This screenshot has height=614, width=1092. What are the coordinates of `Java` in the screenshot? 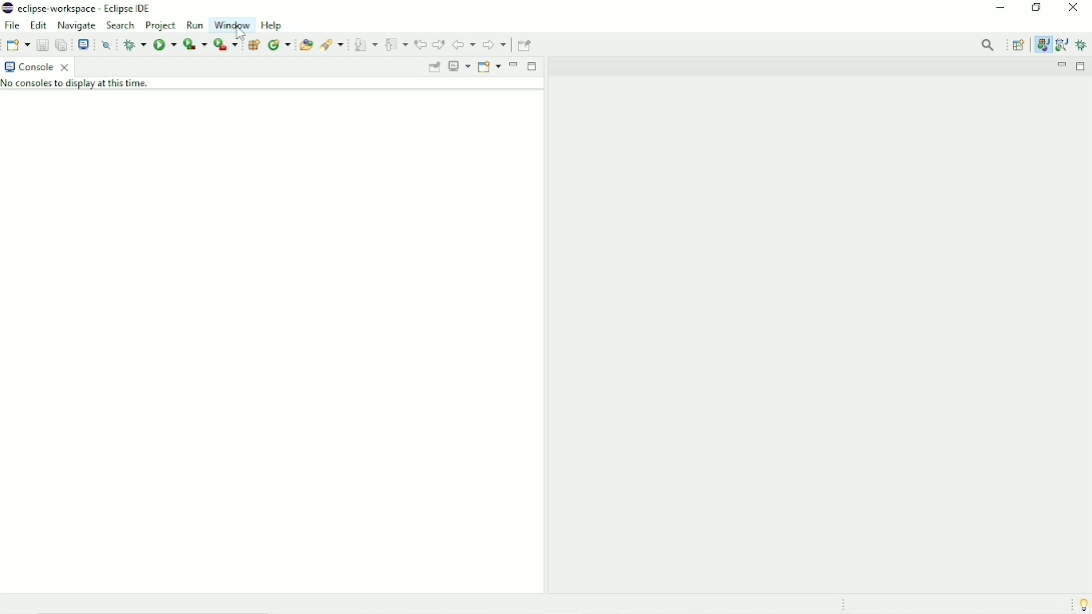 It's located at (1043, 45).